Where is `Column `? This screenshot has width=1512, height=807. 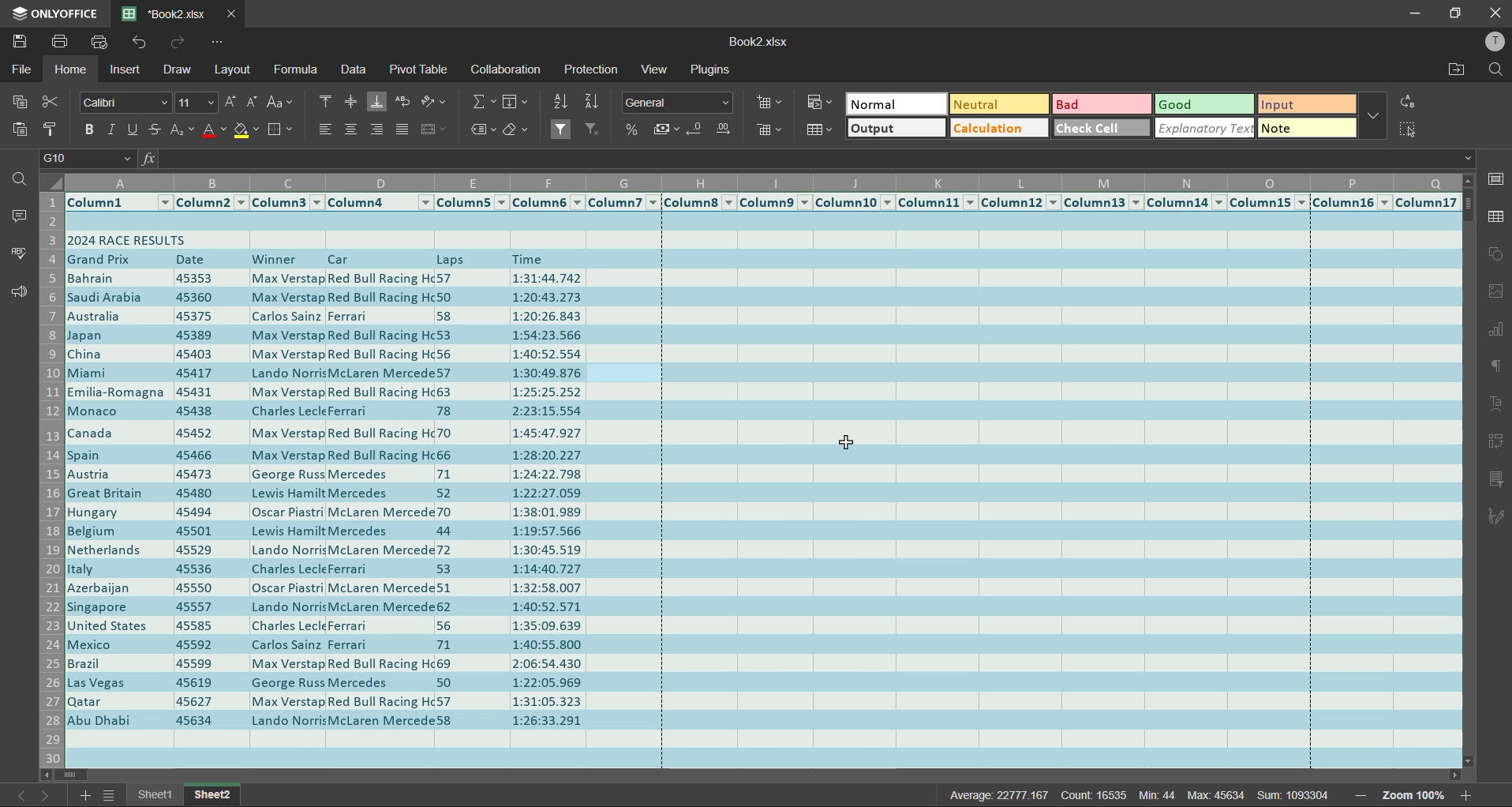 Column  is located at coordinates (698, 202).